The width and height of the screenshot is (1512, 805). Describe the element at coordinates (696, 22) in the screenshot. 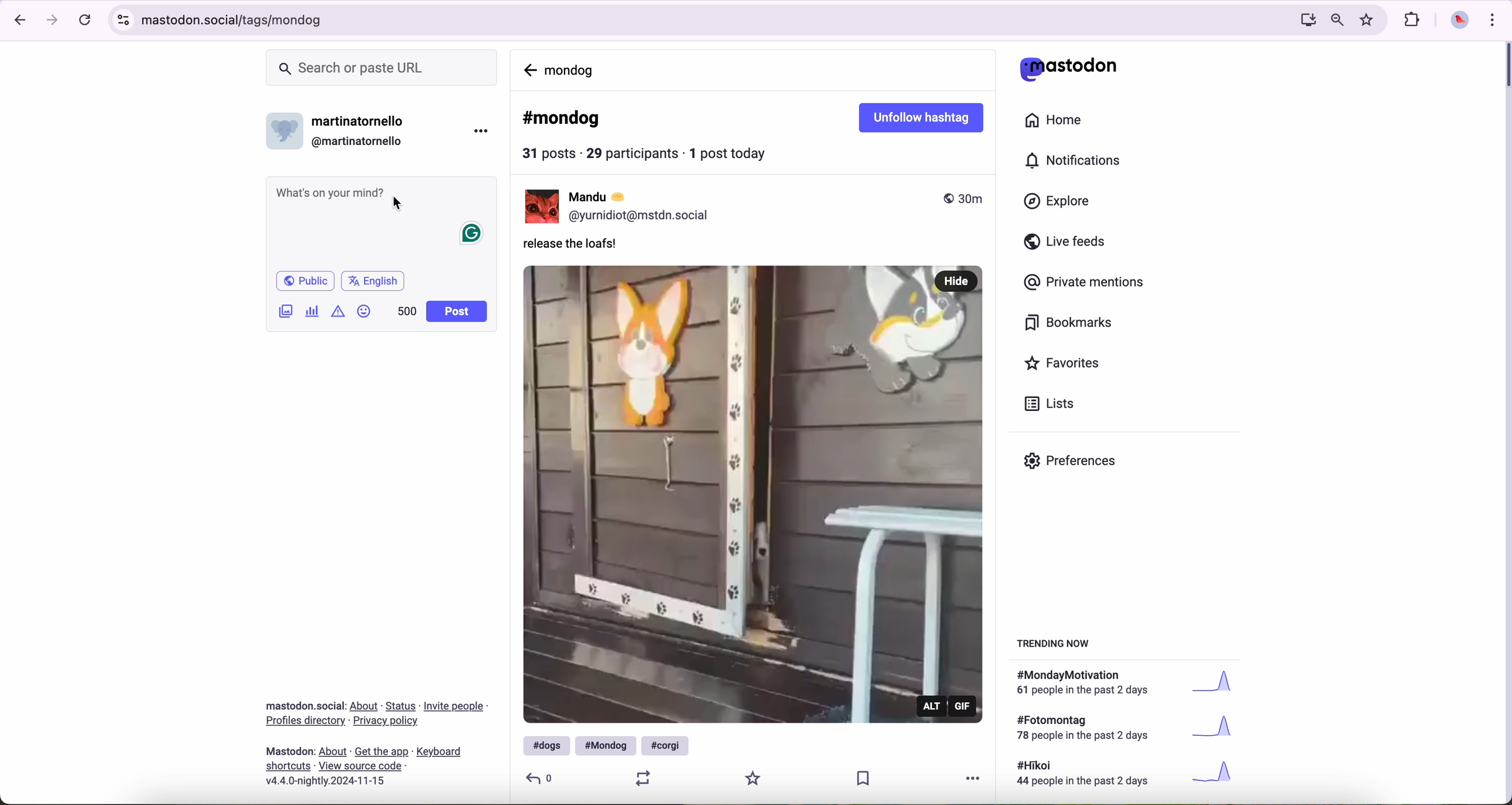

I see `URL` at that location.